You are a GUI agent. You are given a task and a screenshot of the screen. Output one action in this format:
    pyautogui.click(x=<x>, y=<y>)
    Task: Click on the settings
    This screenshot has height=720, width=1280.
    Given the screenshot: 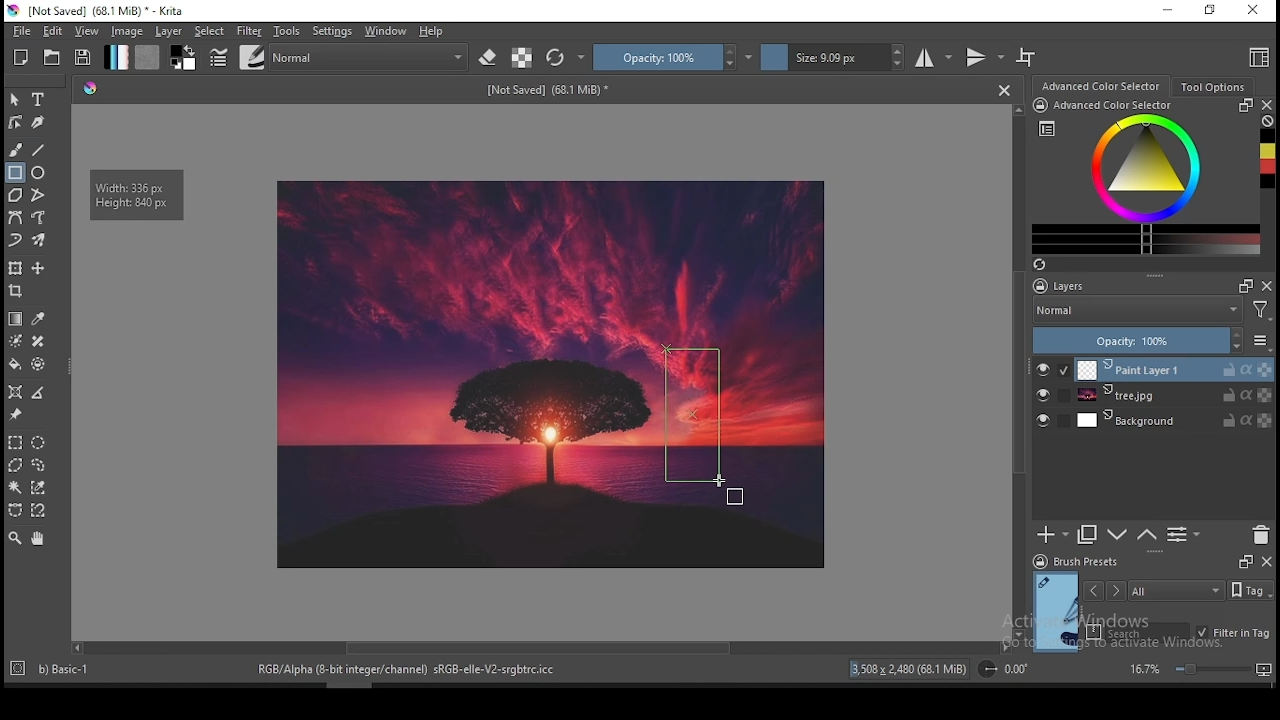 What is the action you would take?
    pyautogui.click(x=332, y=31)
    